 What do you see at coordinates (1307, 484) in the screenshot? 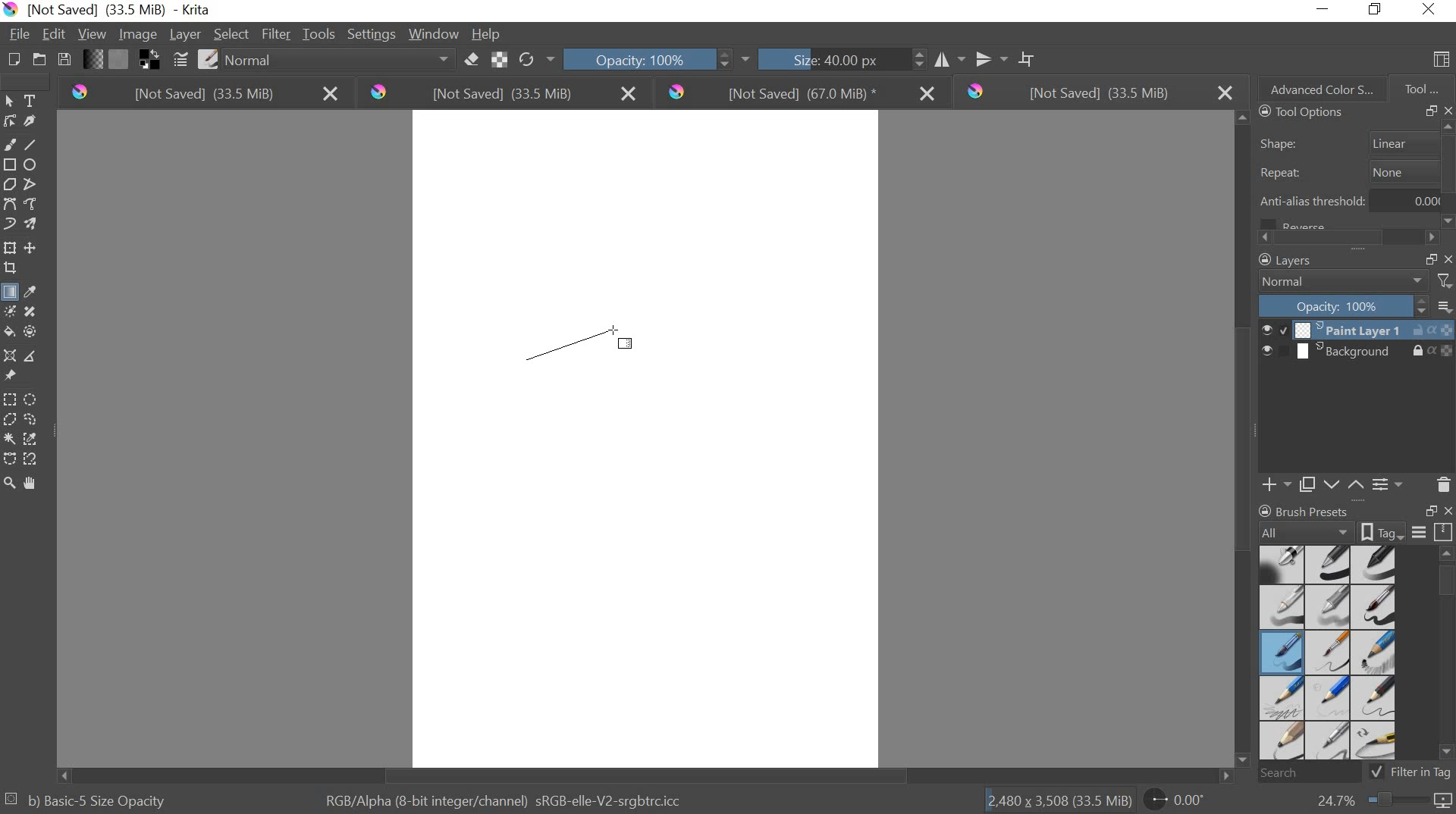
I see `COPY PAINT` at bounding box center [1307, 484].